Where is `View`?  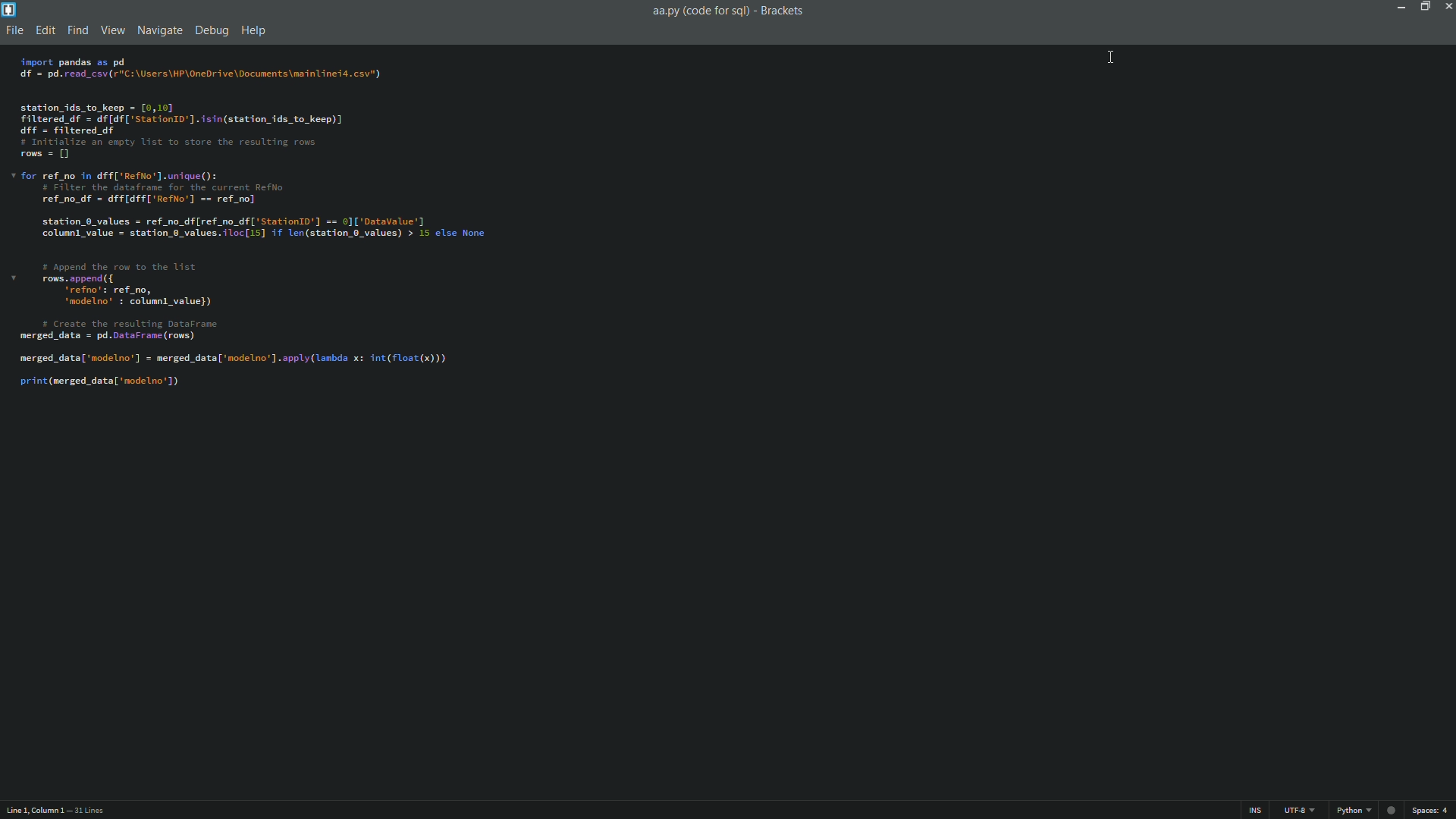
View is located at coordinates (114, 30).